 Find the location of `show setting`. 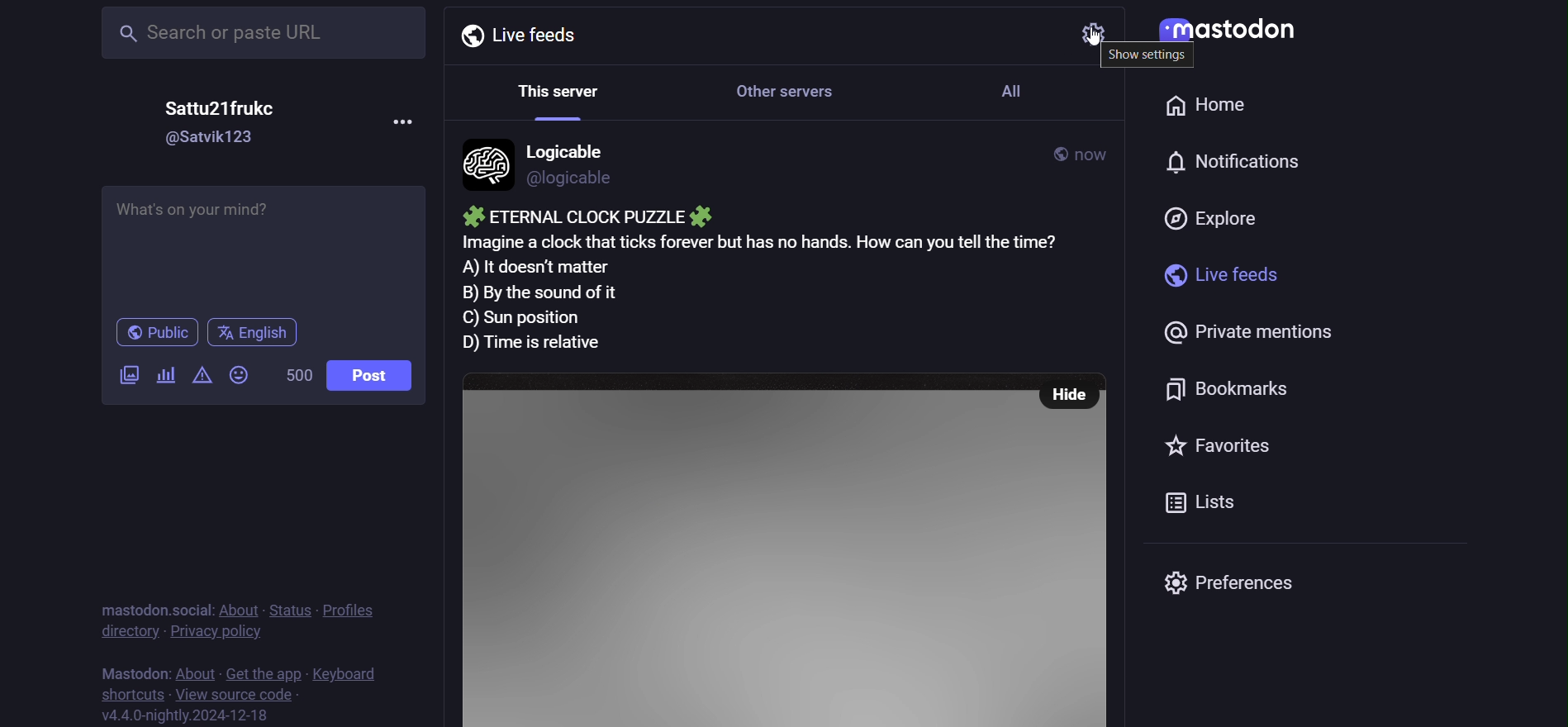

show setting is located at coordinates (1151, 57).